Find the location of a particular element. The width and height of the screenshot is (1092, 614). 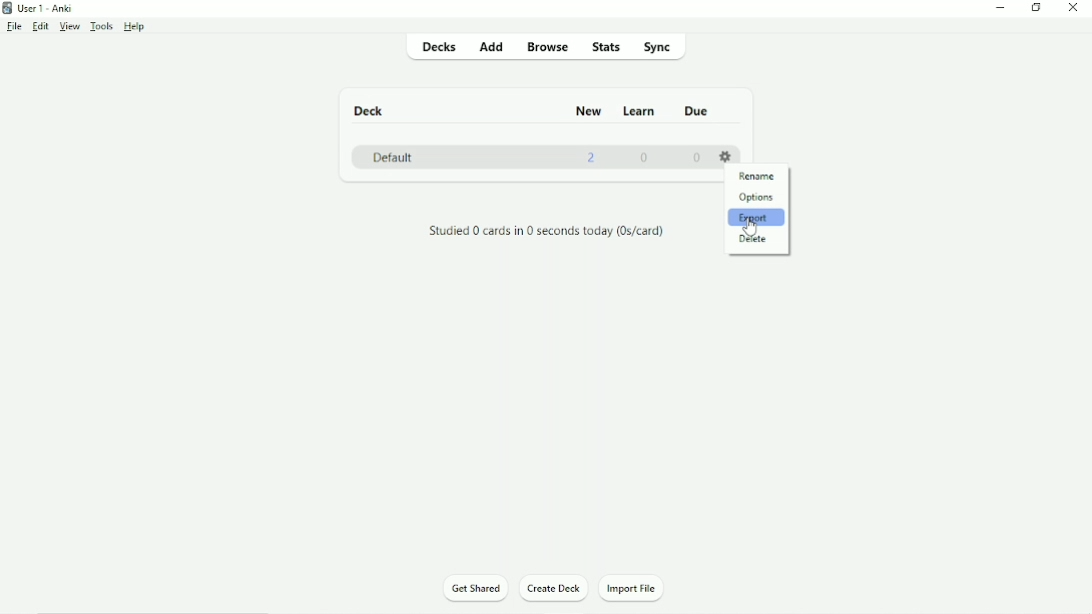

Import File is located at coordinates (631, 588).